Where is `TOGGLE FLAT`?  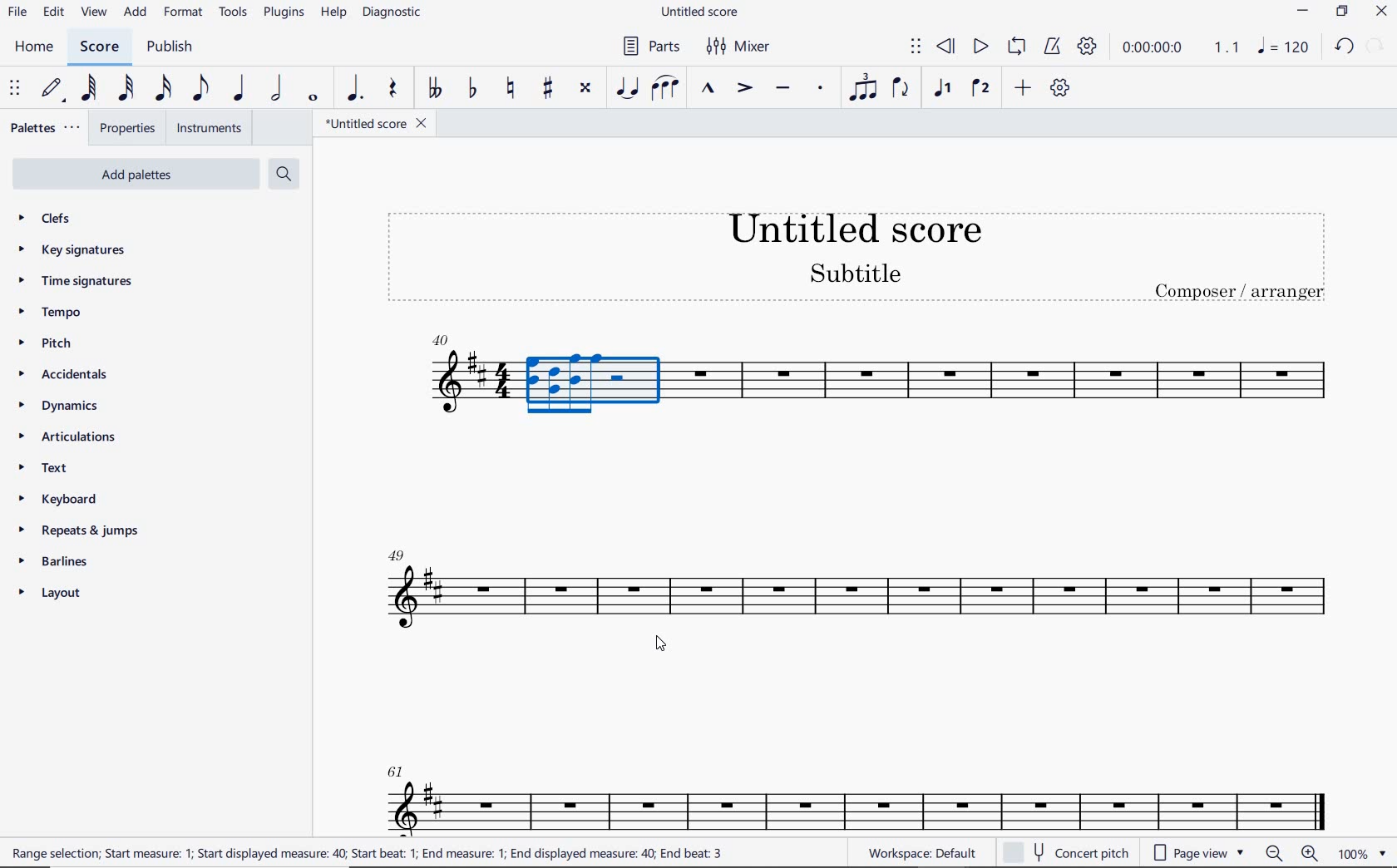
TOGGLE FLAT is located at coordinates (473, 90).